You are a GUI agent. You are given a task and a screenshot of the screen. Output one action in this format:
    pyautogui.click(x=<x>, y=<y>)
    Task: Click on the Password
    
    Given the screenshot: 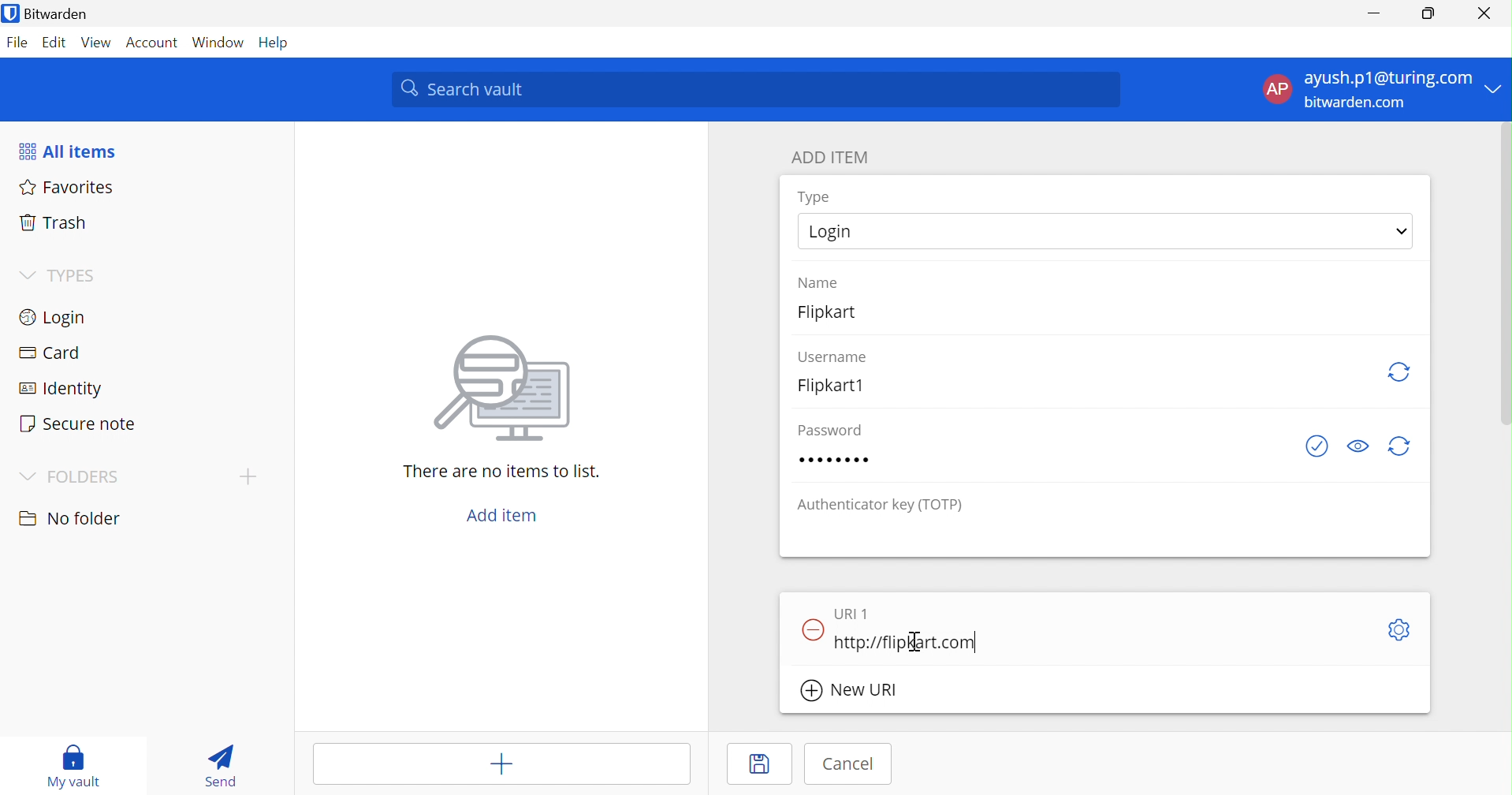 What is the action you would take?
    pyautogui.click(x=826, y=429)
    